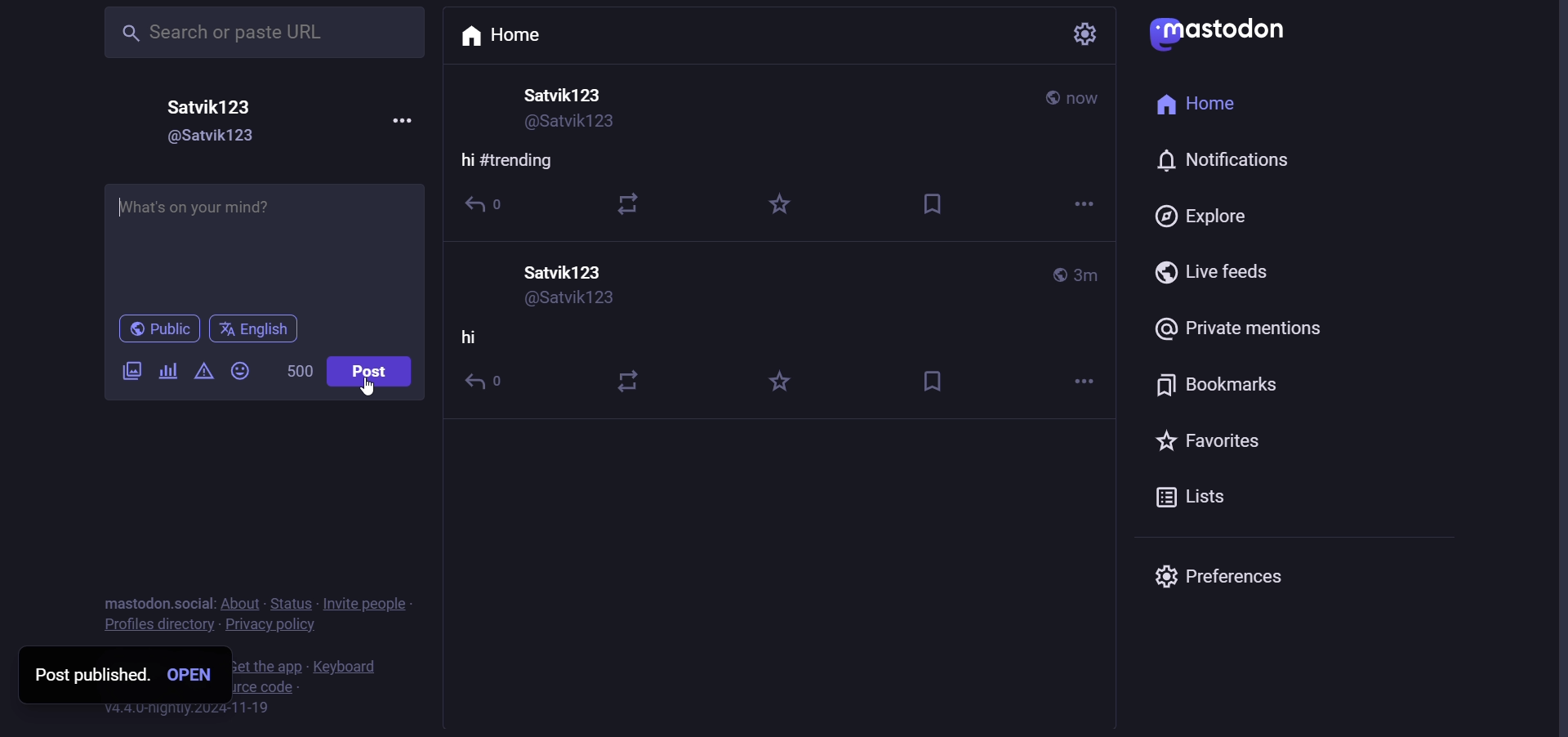  Describe the element at coordinates (166, 207) in the screenshot. I see `Hi #trending` at that location.